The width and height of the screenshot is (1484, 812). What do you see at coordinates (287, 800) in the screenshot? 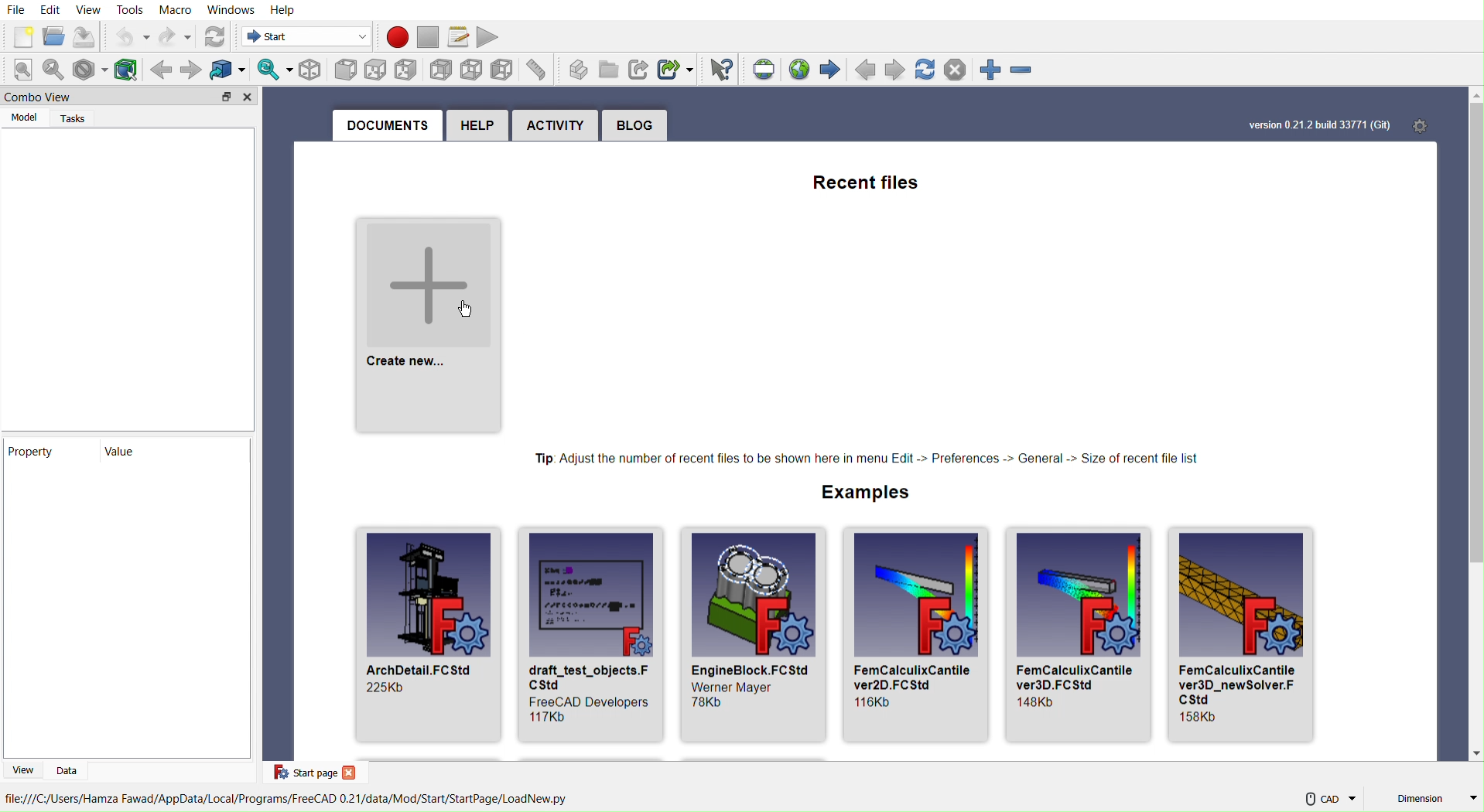
I see `file:///C:/Users/Hamza Fawad/AppData/Local/Programs/FreeCAD 0.21/data/Mod/Start/StartPage/LoadNew.py` at bounding box center [287, 800].